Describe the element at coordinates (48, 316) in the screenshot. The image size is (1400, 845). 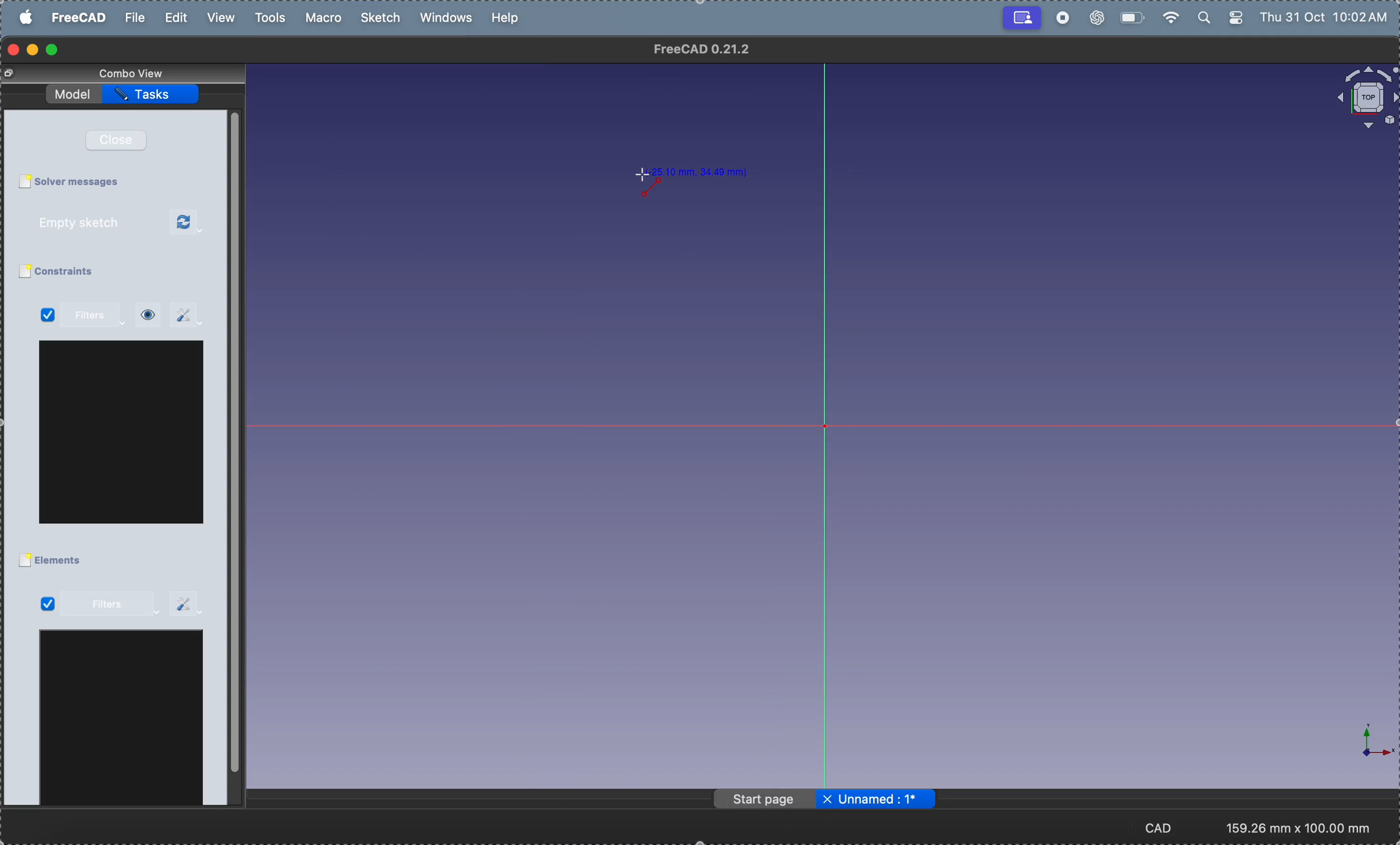
I see `Checked Checkbox` at that location.